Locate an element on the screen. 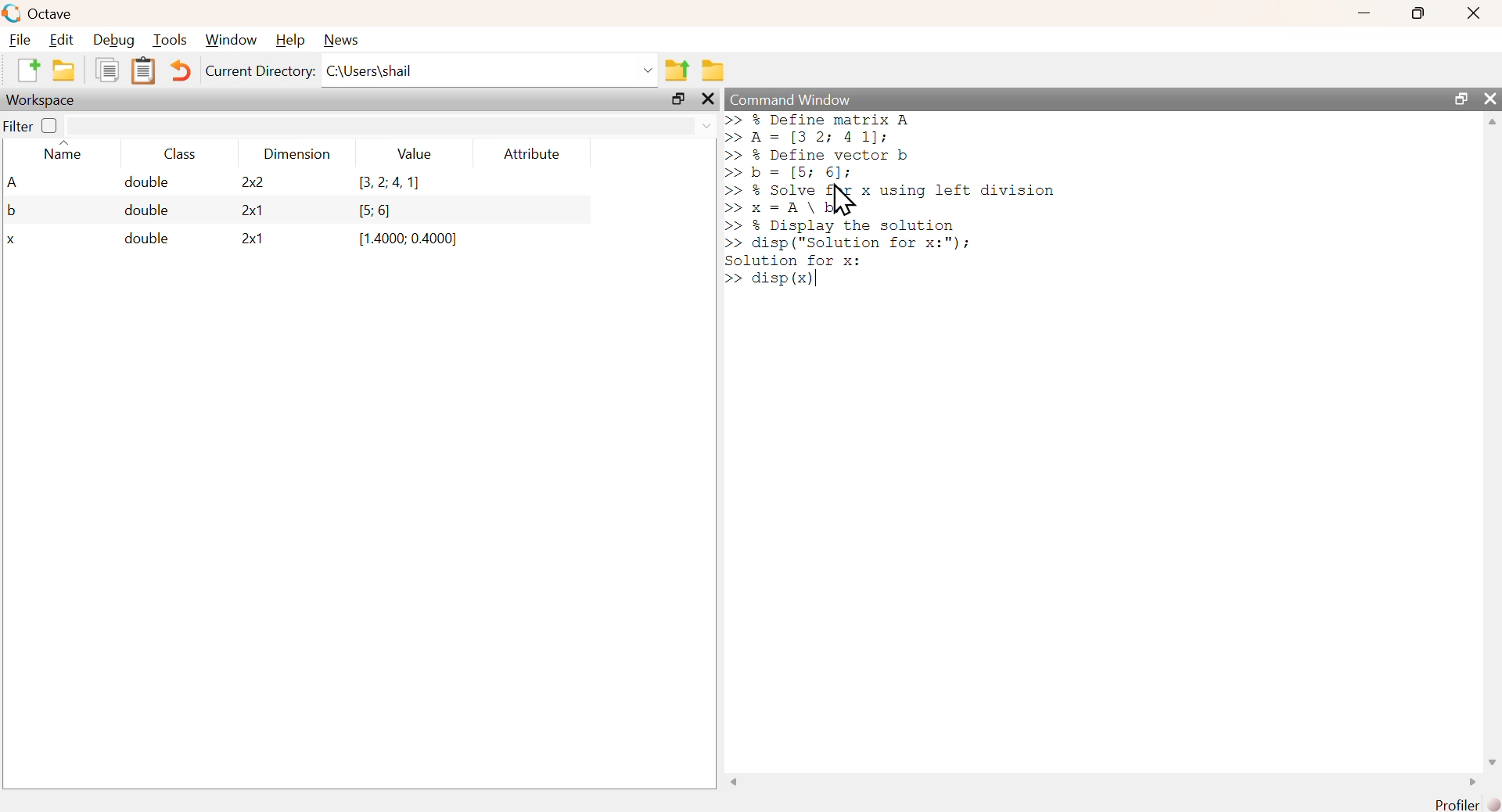 This screenshot has height=812, width=1502. edit is located at coordinates (63, 41).